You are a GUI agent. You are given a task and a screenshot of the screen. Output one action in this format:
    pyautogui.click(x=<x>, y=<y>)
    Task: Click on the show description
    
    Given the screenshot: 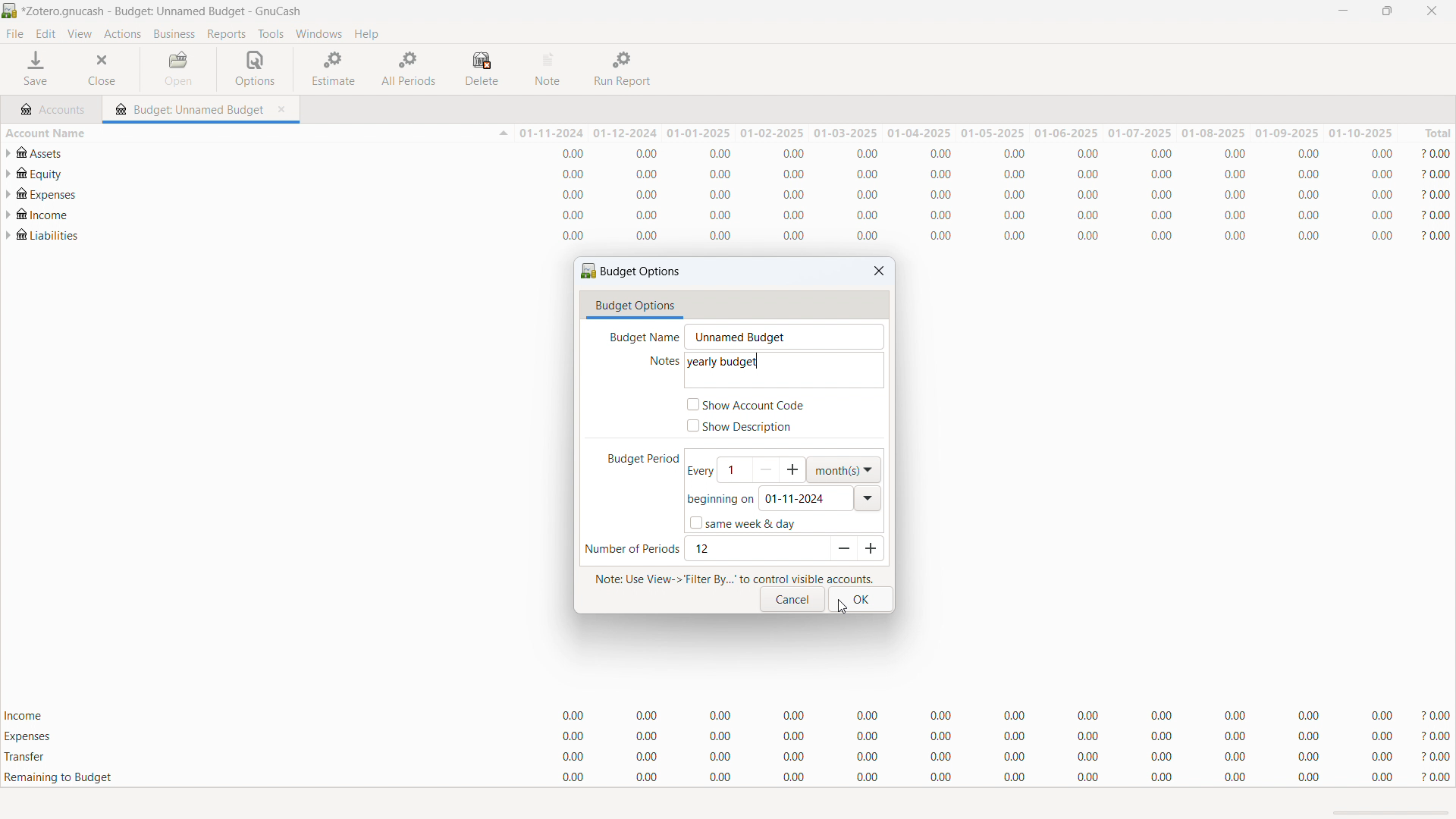 What is the action you would take?
    pyautogui.click(x=741, y=426)
    